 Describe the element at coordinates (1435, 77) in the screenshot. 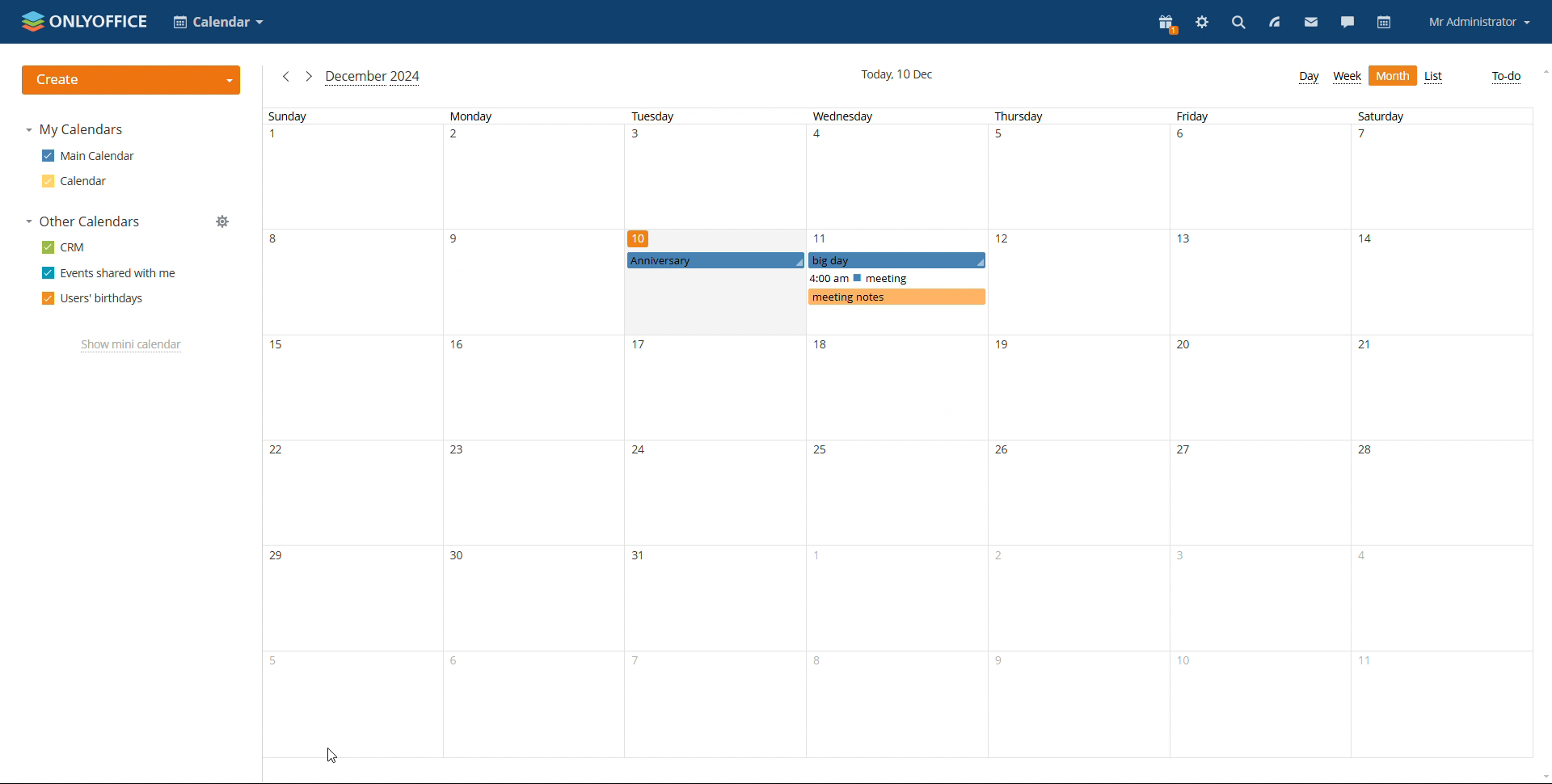

I see `list view` at that location.